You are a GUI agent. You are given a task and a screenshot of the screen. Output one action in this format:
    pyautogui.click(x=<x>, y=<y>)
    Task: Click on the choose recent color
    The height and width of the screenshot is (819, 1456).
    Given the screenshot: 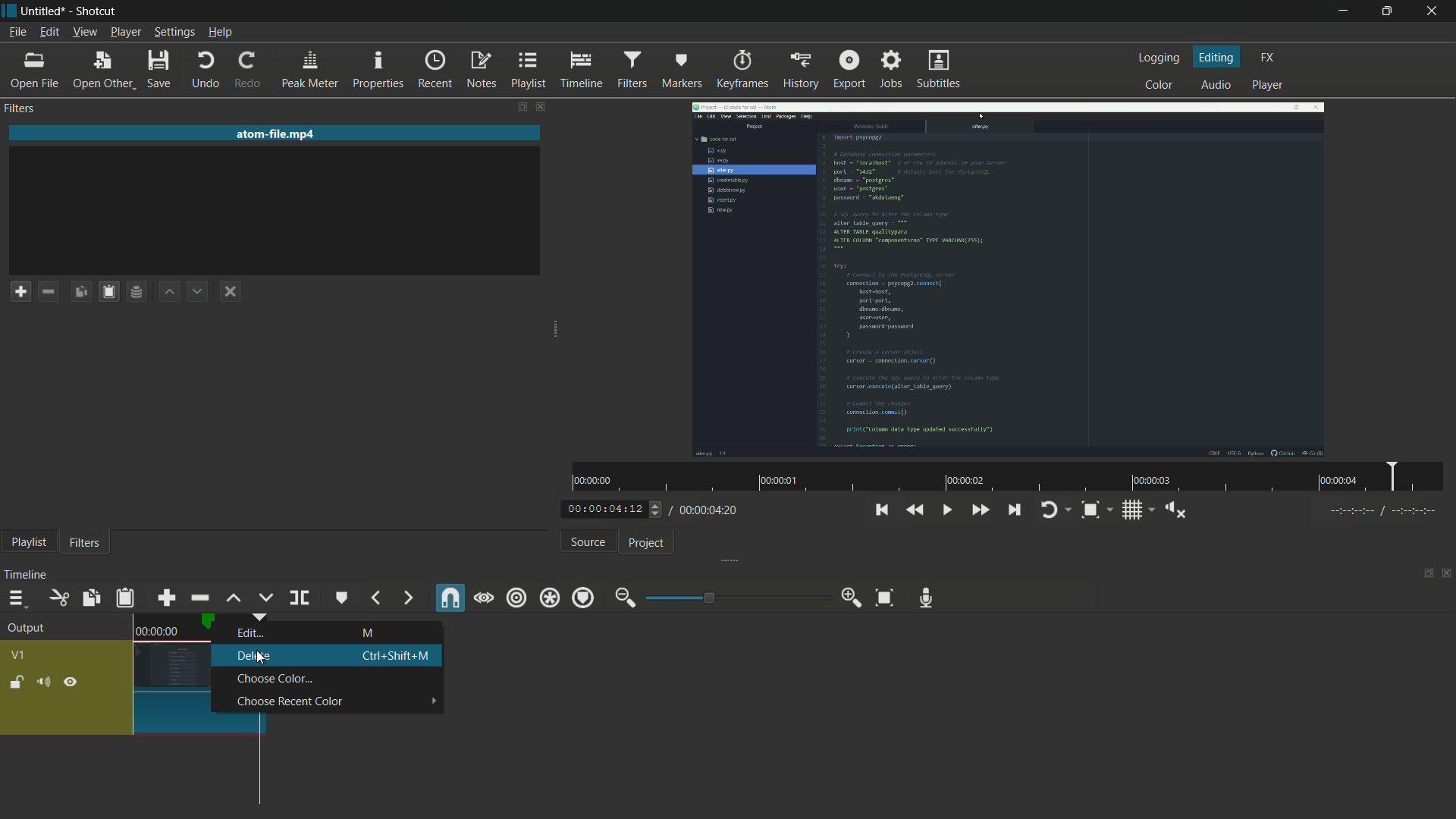 What is the action you would take?
    pyautogui.click(x=286, y=701)
    